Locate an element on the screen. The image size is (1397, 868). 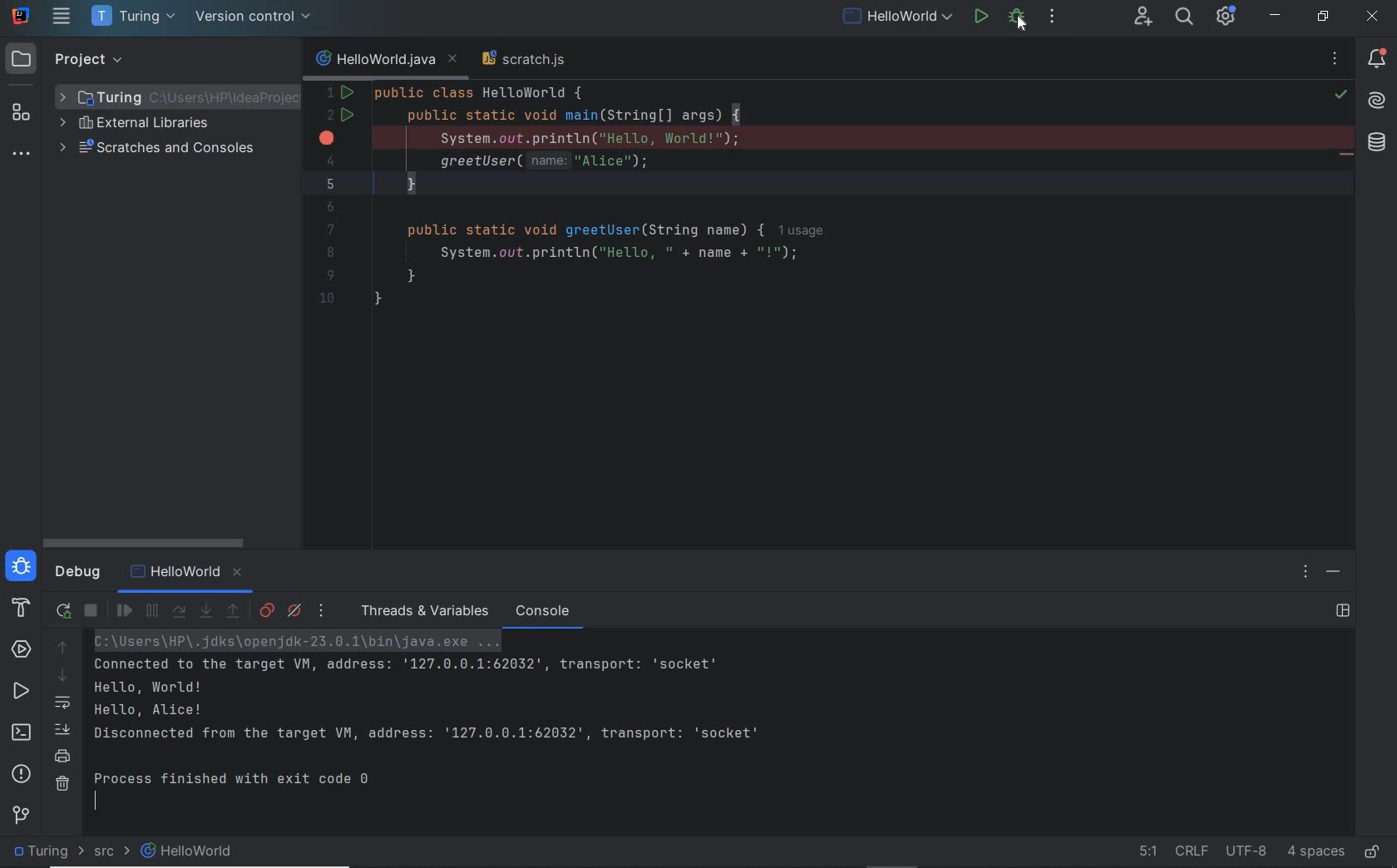
HelloWorld is located at coordinates (190, 575).